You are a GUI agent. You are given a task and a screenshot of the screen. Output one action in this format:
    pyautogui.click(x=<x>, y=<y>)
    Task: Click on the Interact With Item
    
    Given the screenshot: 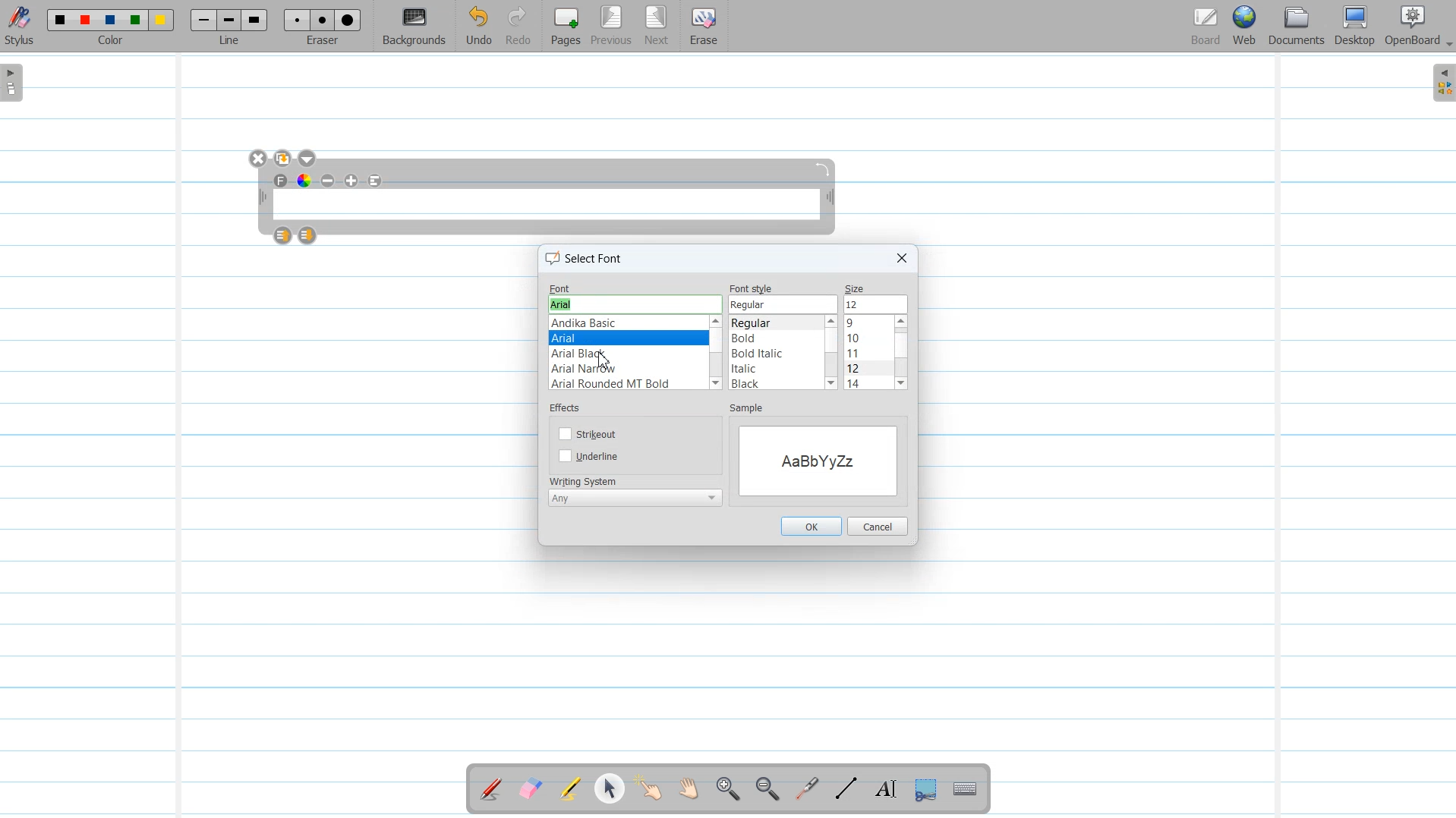 What is the action you would take?
    pyautogui.click(x=649, y=790)
    